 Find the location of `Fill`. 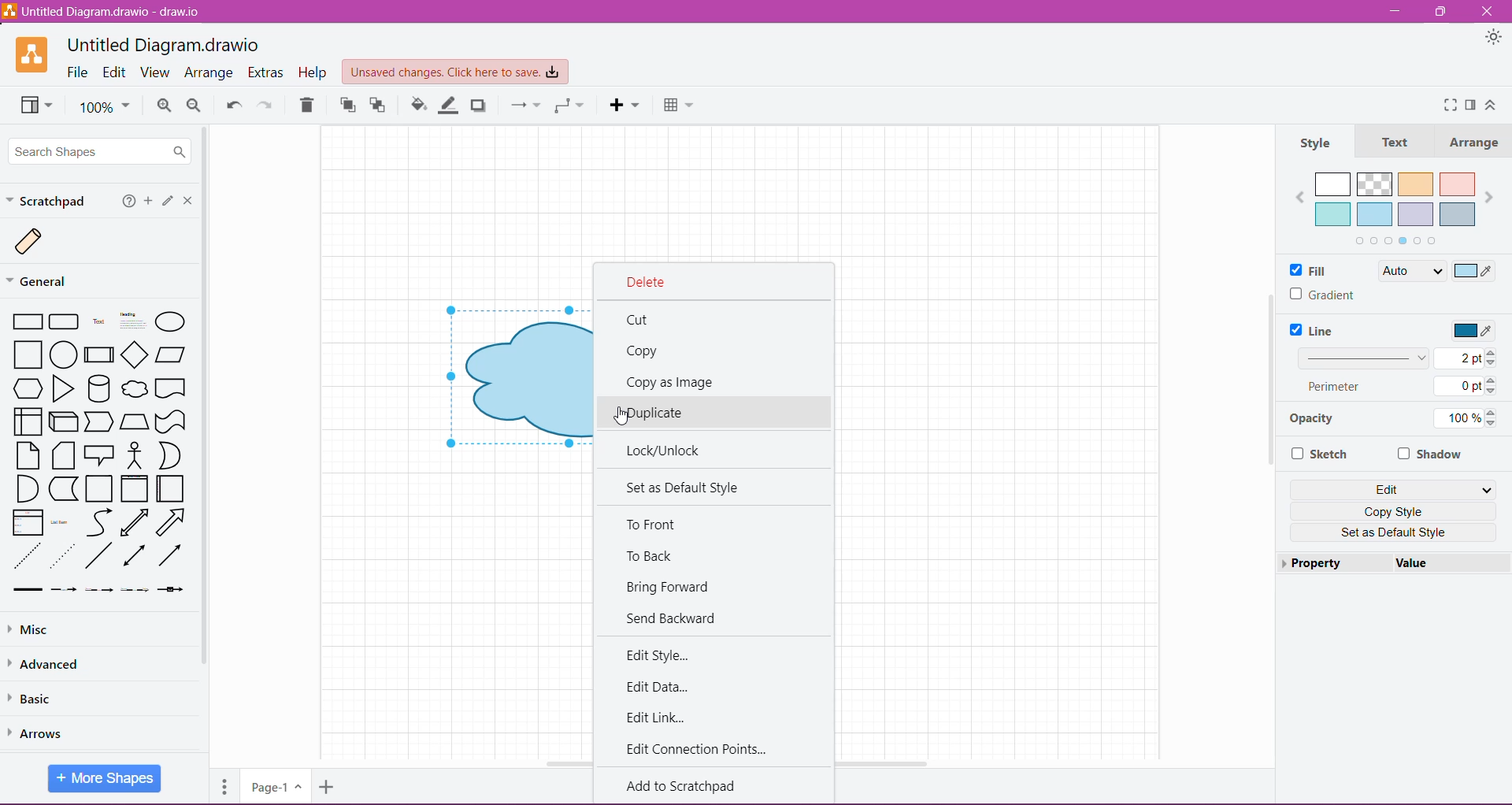

Fill is located at coordinates (1313, 271).